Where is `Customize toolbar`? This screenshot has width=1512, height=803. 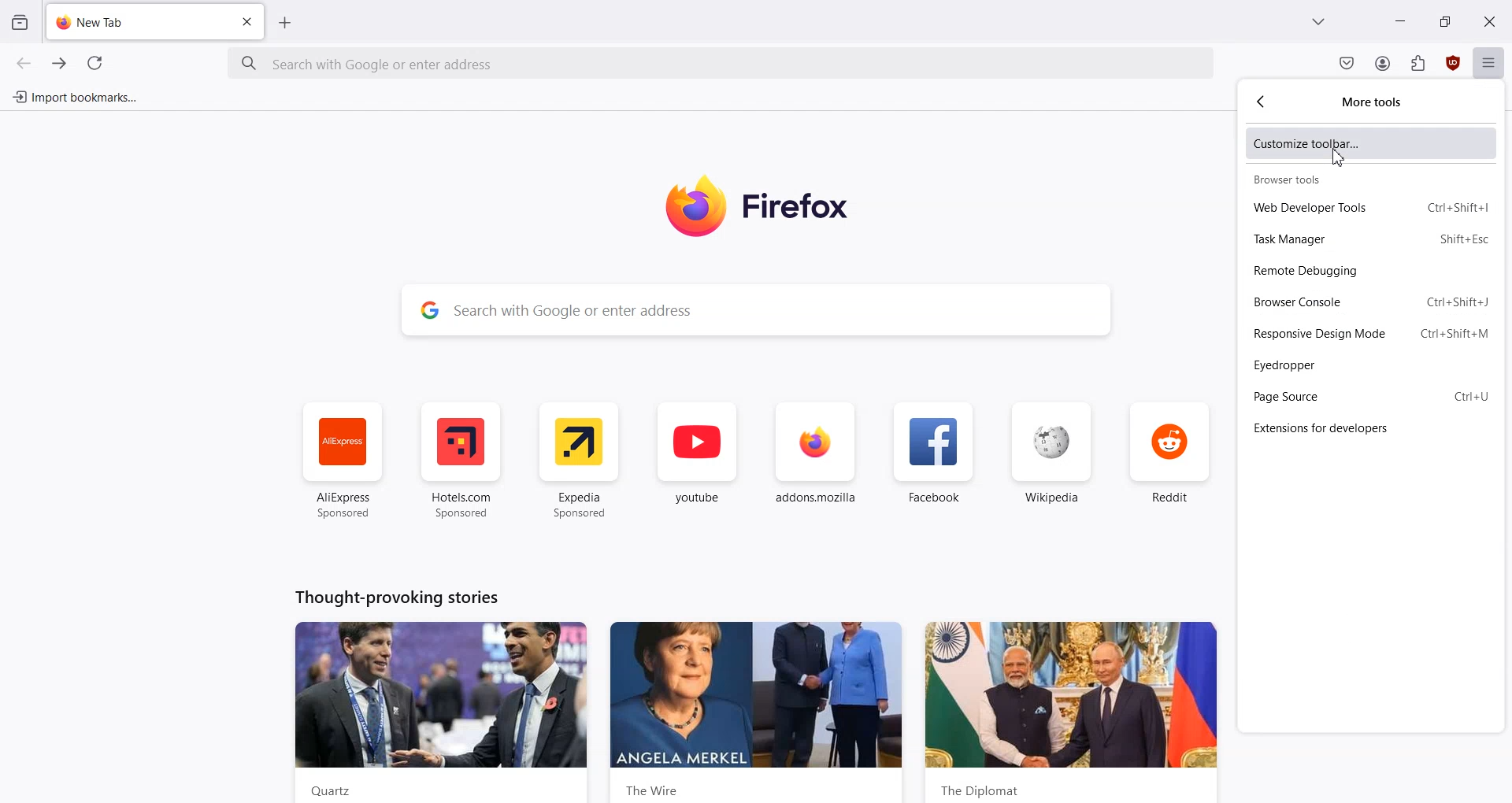
Customize toolbar is located at coordinates (1373, 142).